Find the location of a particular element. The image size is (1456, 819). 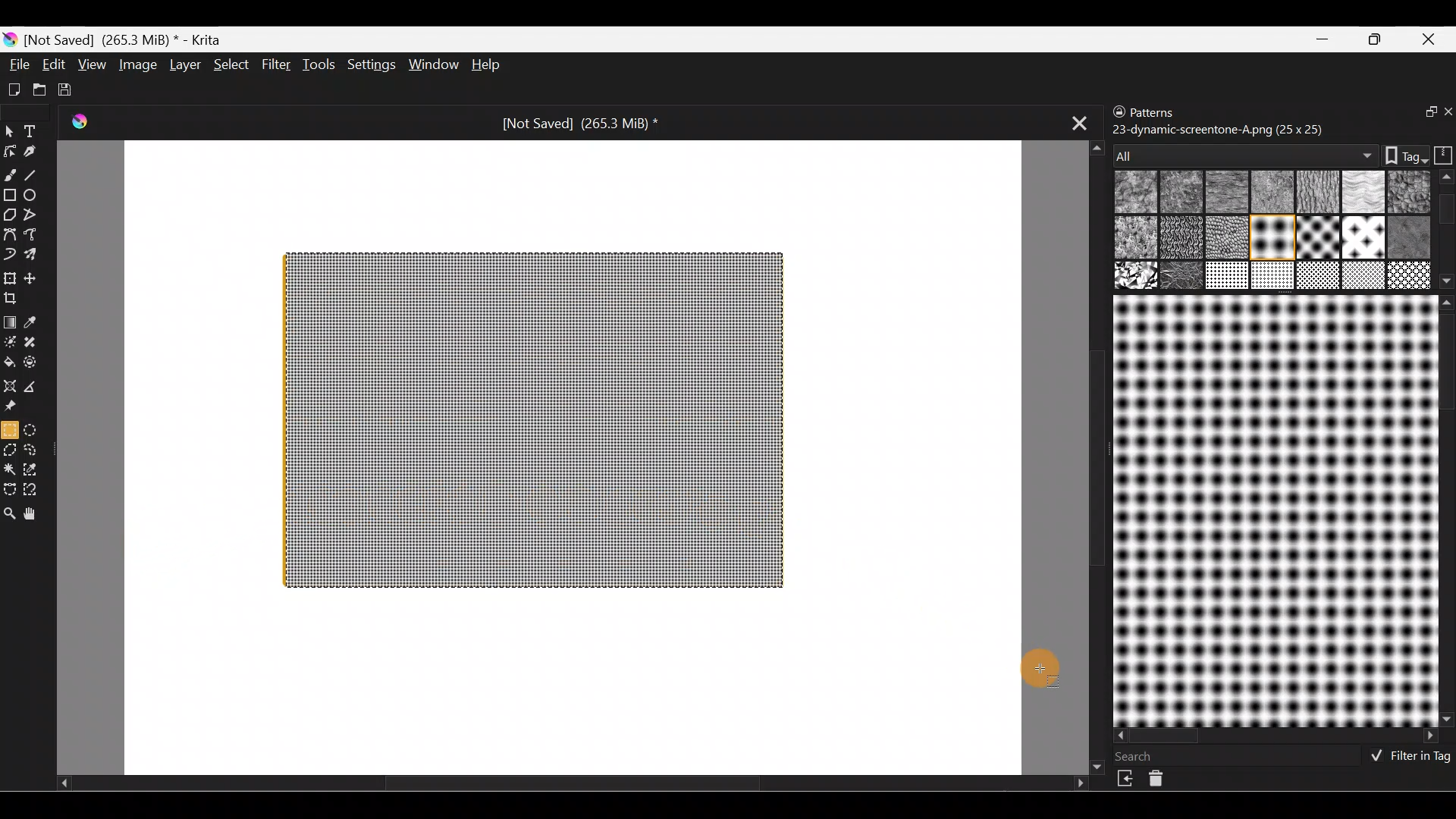

Measure the distance between two points is located at coordinates (37, 387).